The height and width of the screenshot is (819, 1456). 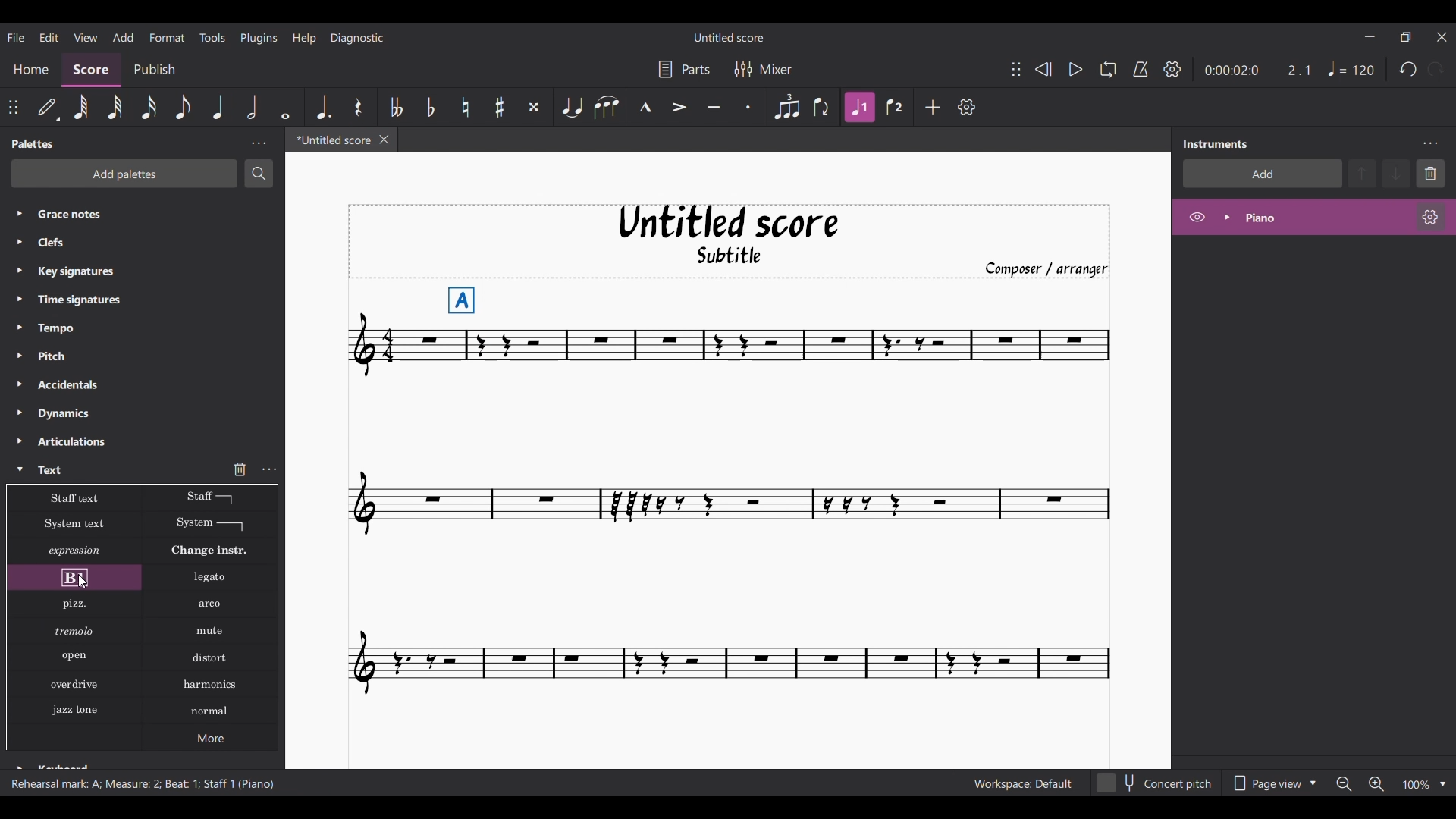 I want to click on Slur, so click(x=607, y=107).